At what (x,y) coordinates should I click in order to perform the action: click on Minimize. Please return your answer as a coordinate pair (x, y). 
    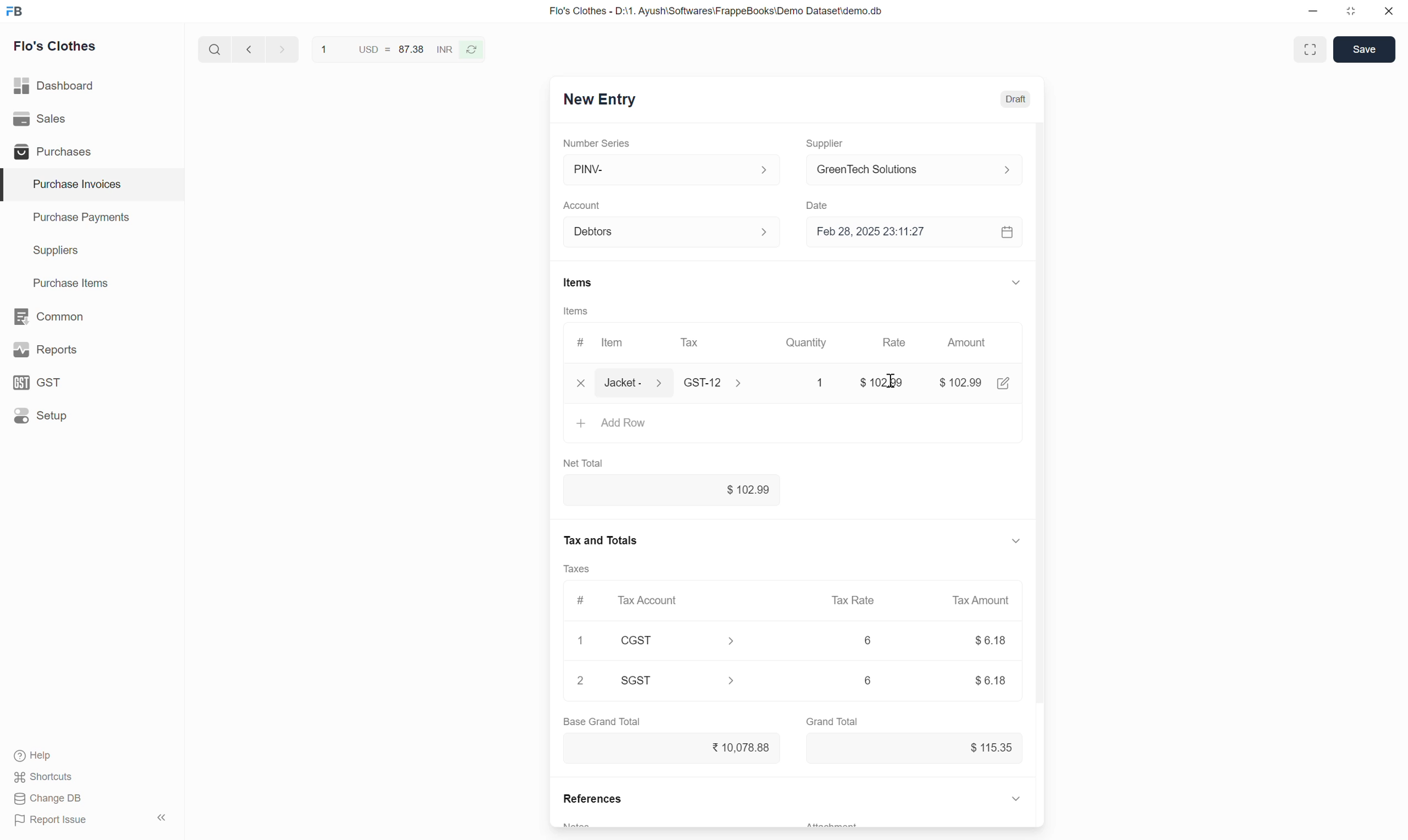
    Looking at the image, I should click on (1313, 11).